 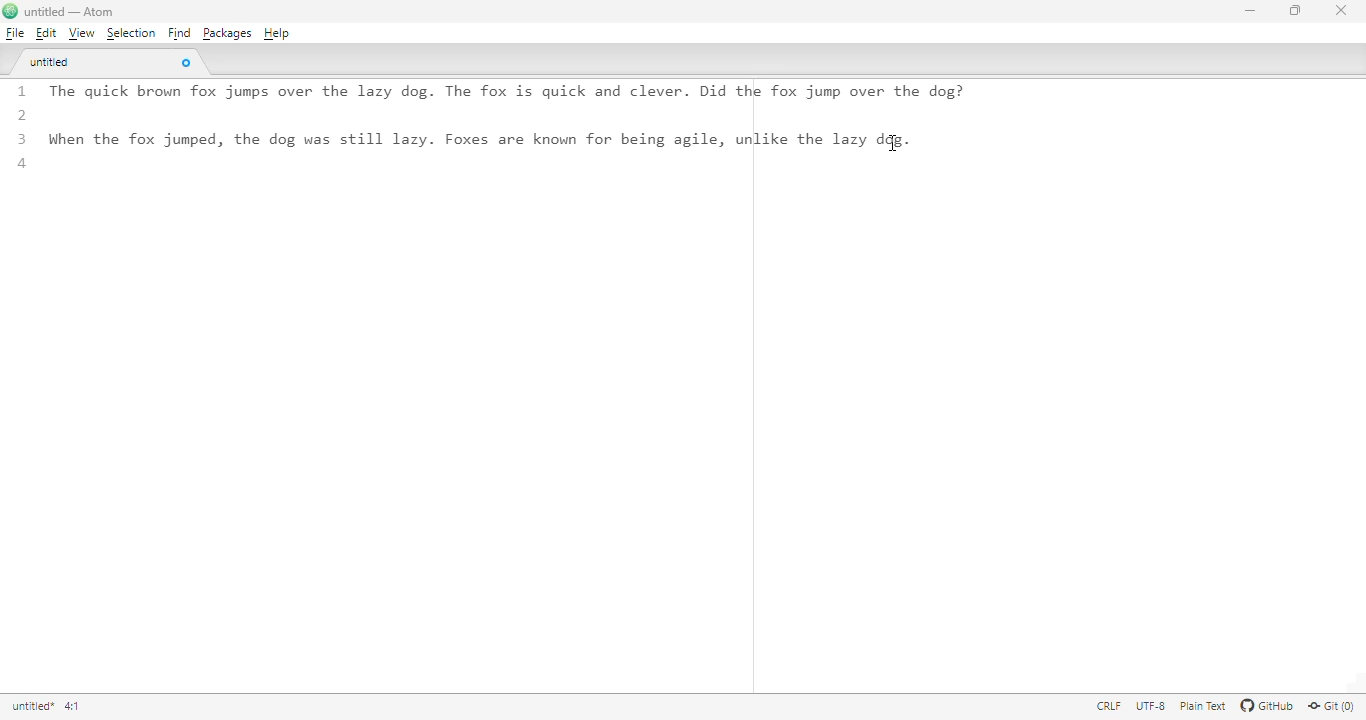 I want to click on maximize, so click(x=1295, y=11).